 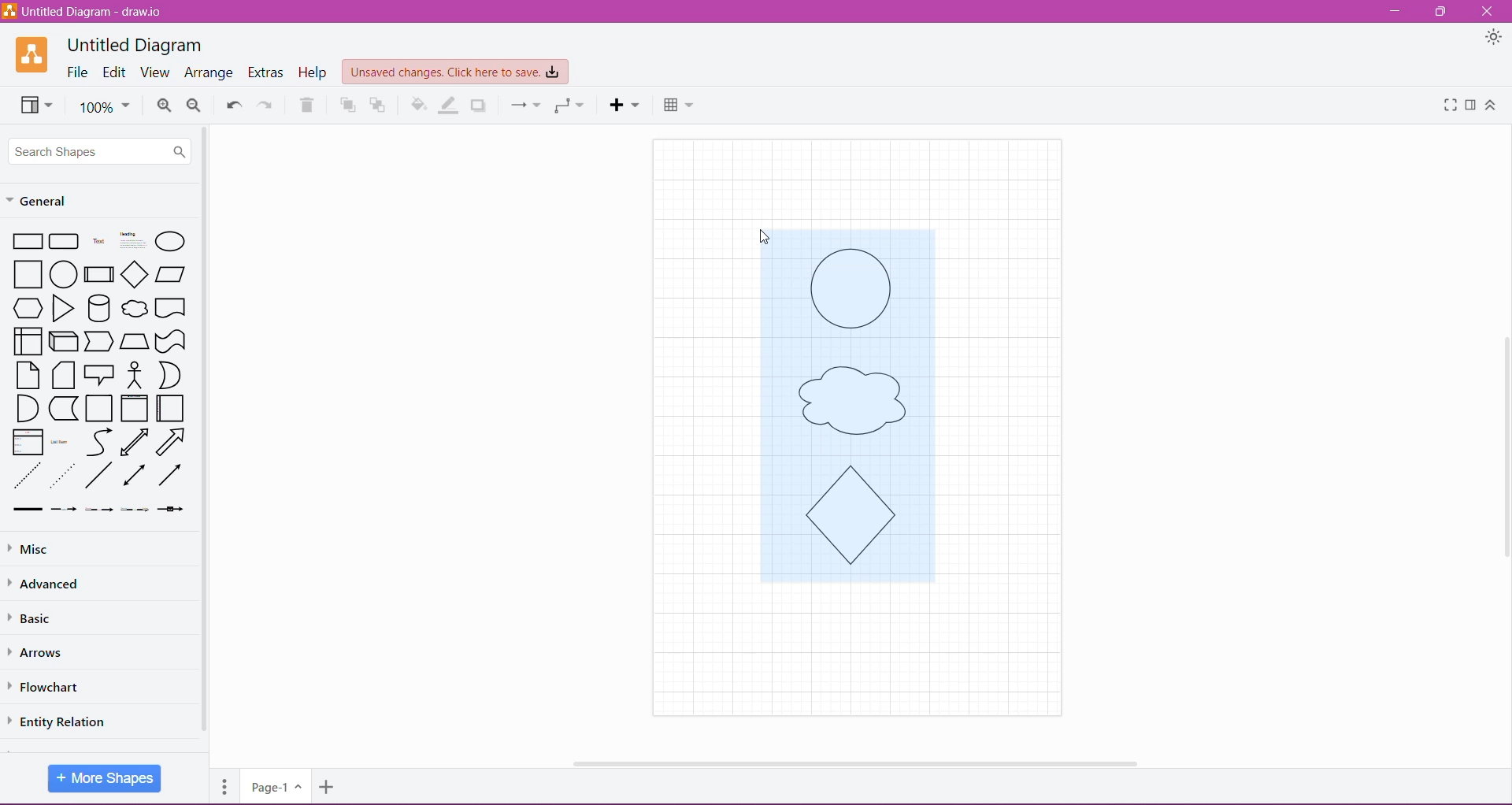 I want to click on Close, so click(x=1487, y=12).